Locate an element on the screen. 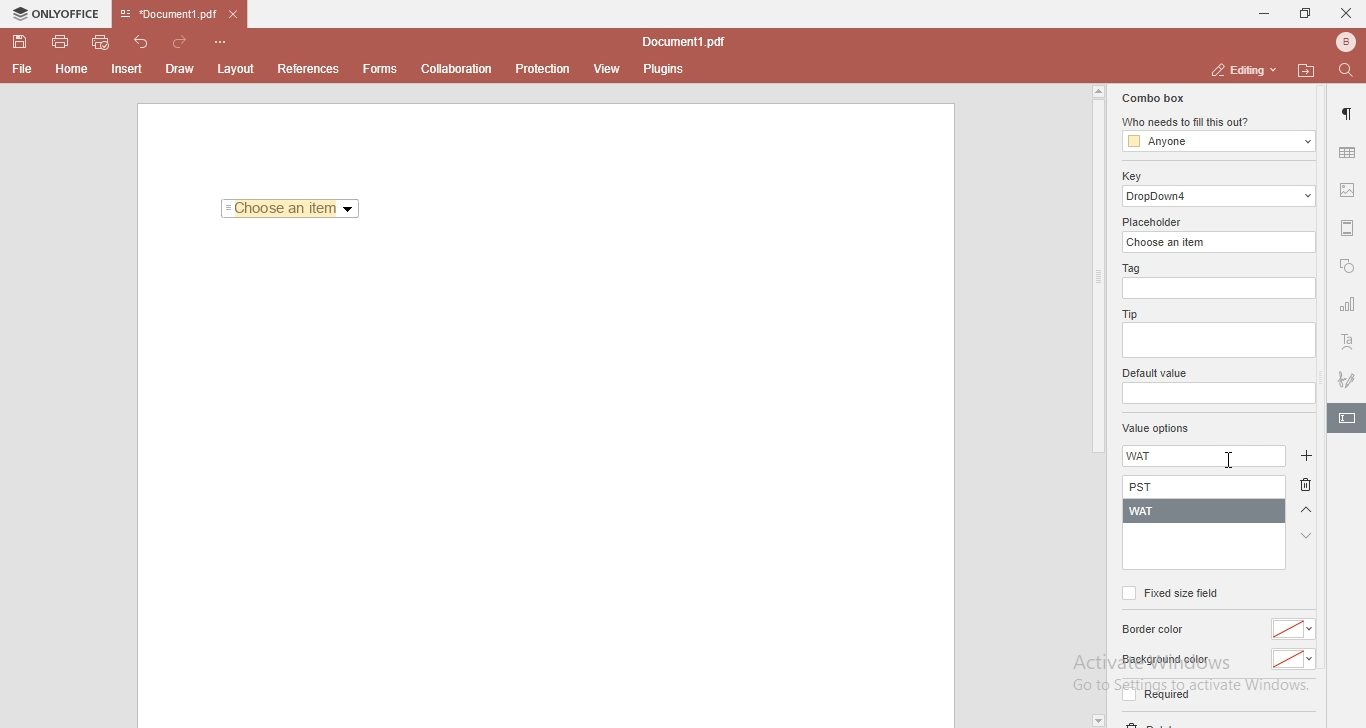  image is located at coordinates (1349, 192).